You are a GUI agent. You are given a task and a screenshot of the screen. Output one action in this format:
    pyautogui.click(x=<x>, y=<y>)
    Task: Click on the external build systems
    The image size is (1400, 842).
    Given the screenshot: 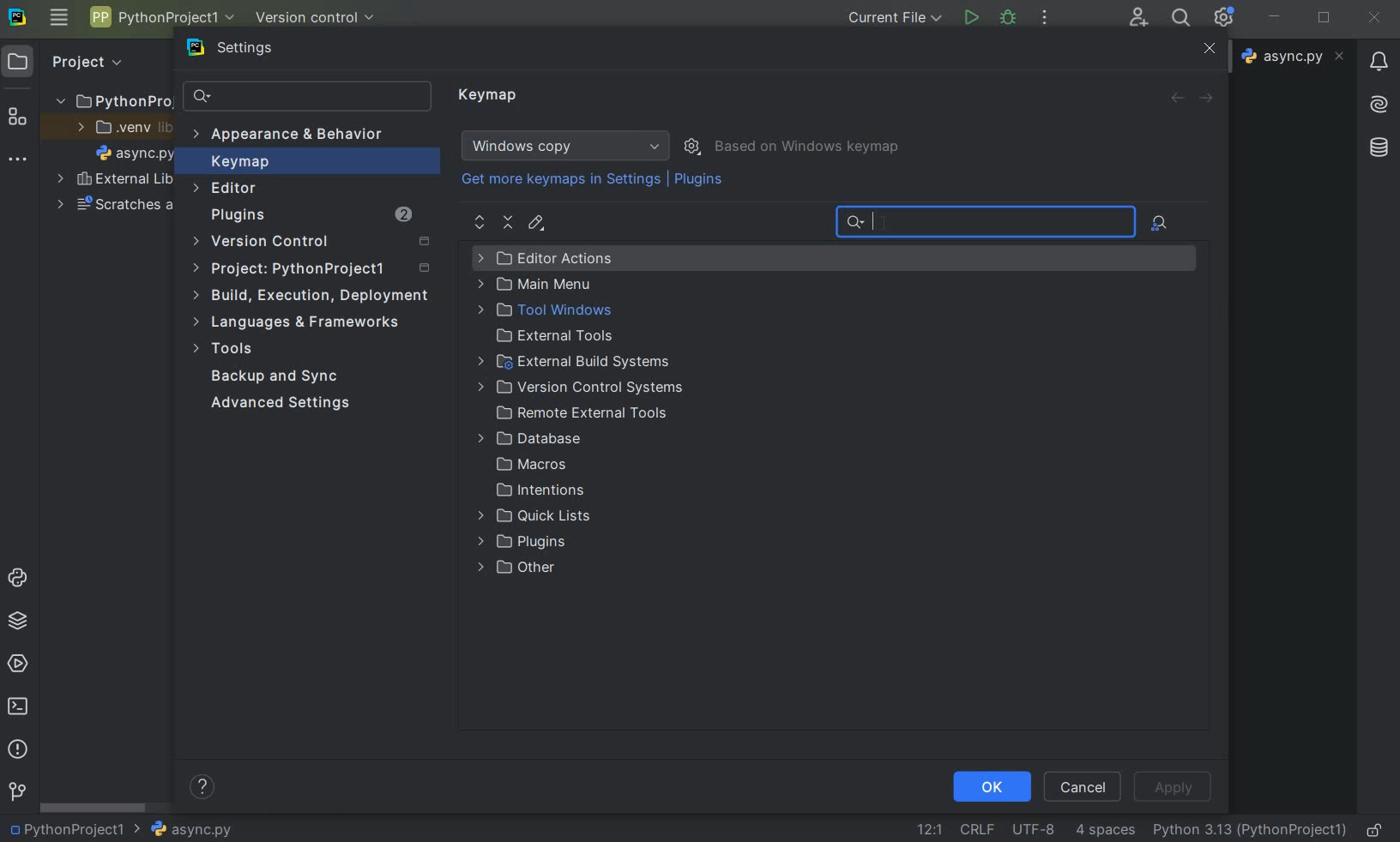 What is the action you would take?
    pyautogui.click(x=573, y=361)
    